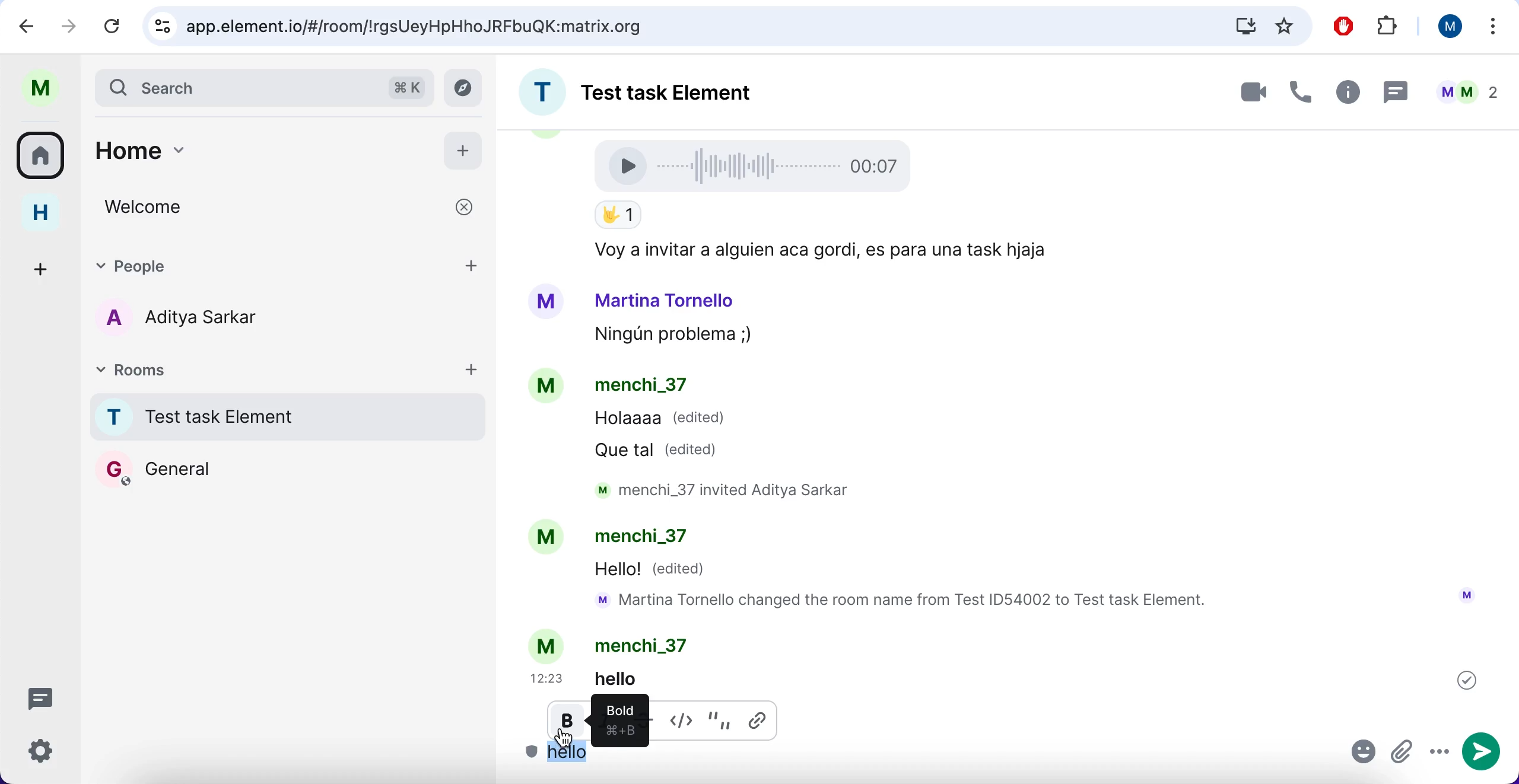  What do you see at coordinates (45, 267) in the screenshot?
I see `create a space` at bounding box center [45, 267].